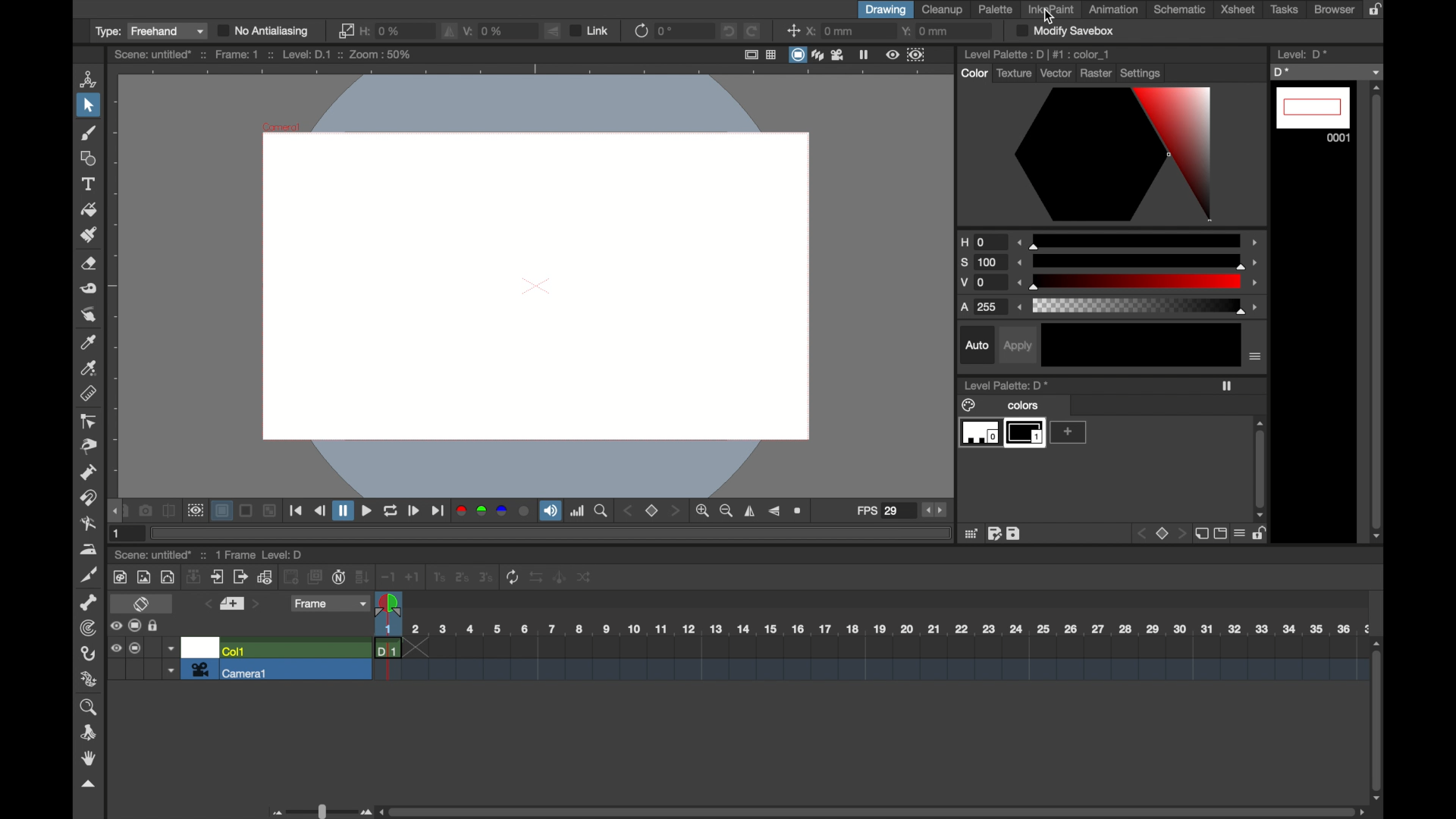  Describe the element at coordinates (819, 55) in the screenshot. I see `layers` at that location.